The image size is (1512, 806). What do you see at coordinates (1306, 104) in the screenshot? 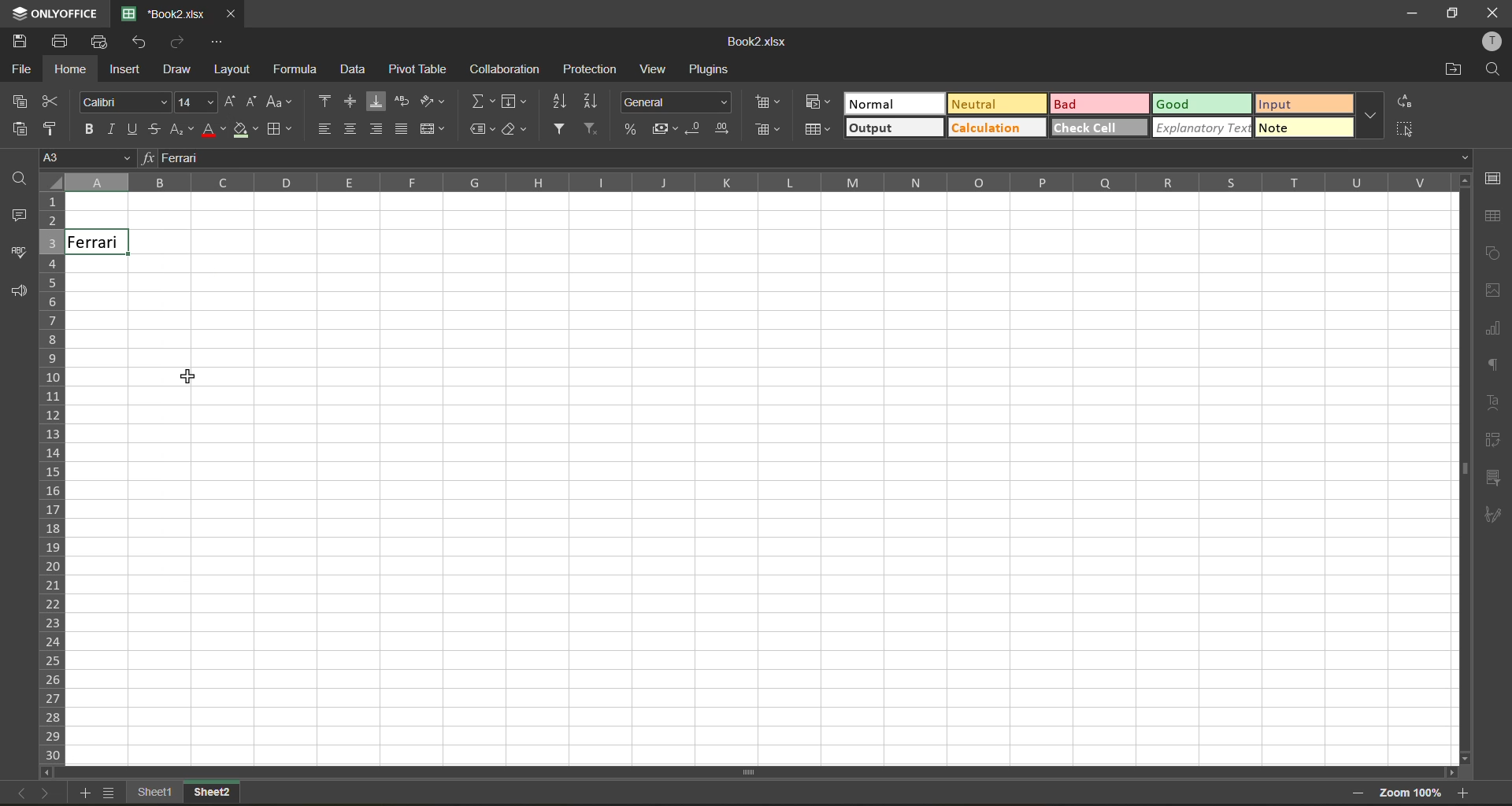
I see `input` at bounding box center [1306, 104].